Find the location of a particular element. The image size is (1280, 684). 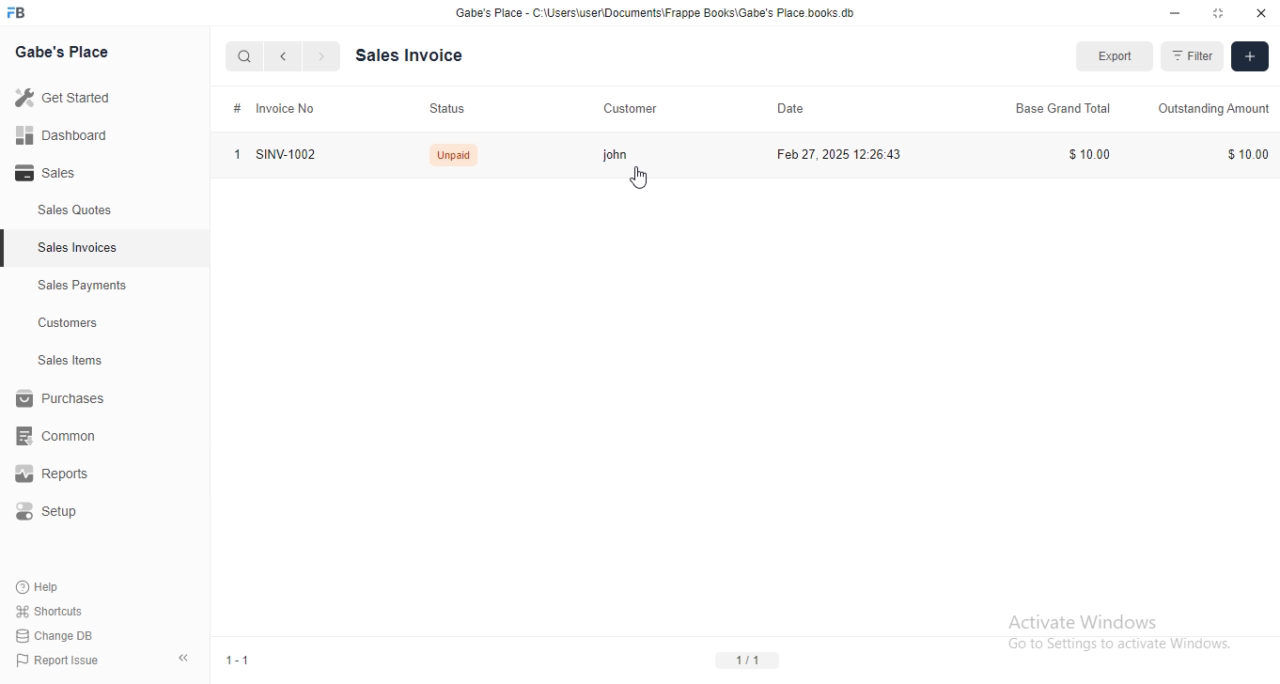

date is located at coordinates (791, 109).